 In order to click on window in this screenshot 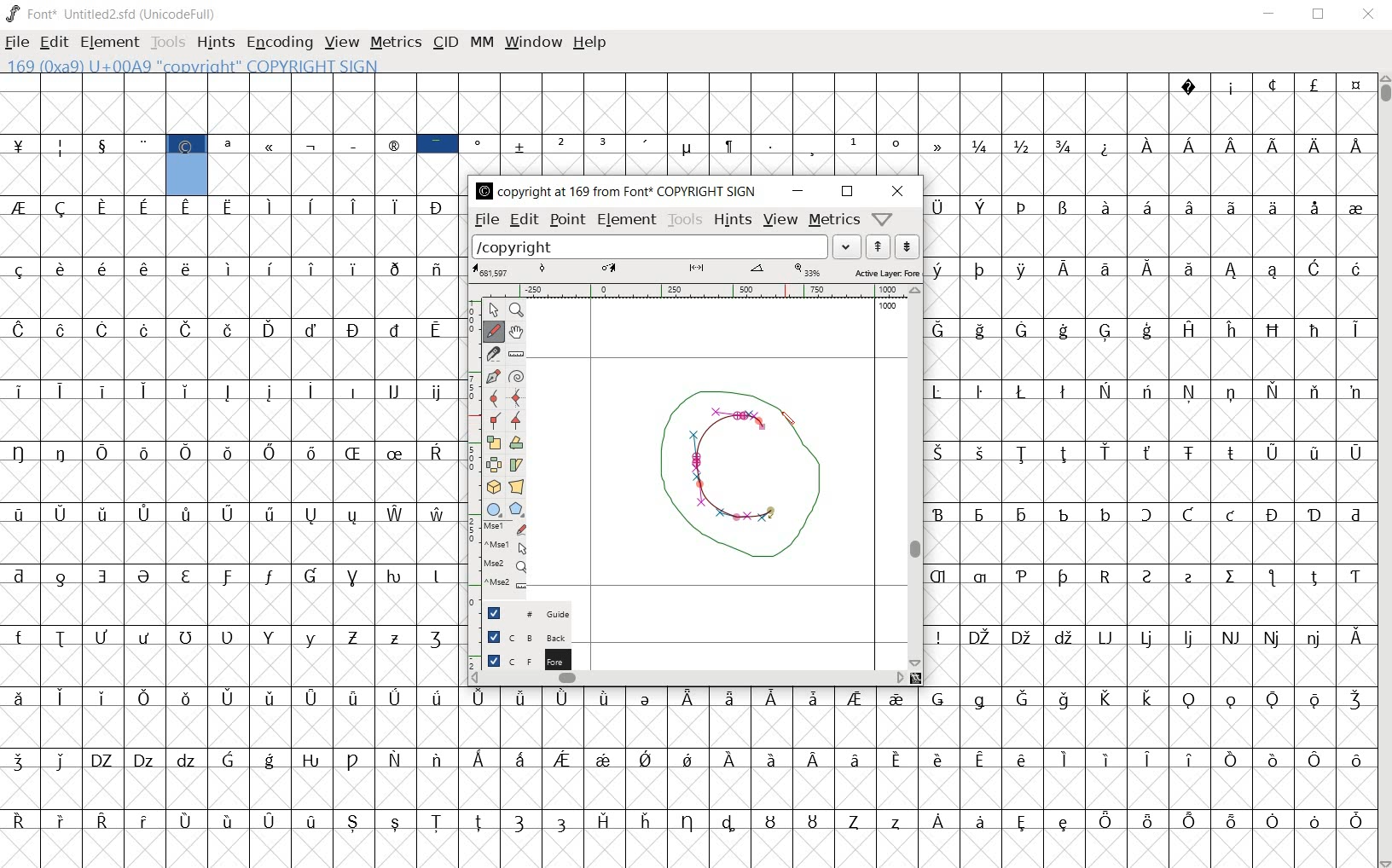, I will do `click(531, 42)`.